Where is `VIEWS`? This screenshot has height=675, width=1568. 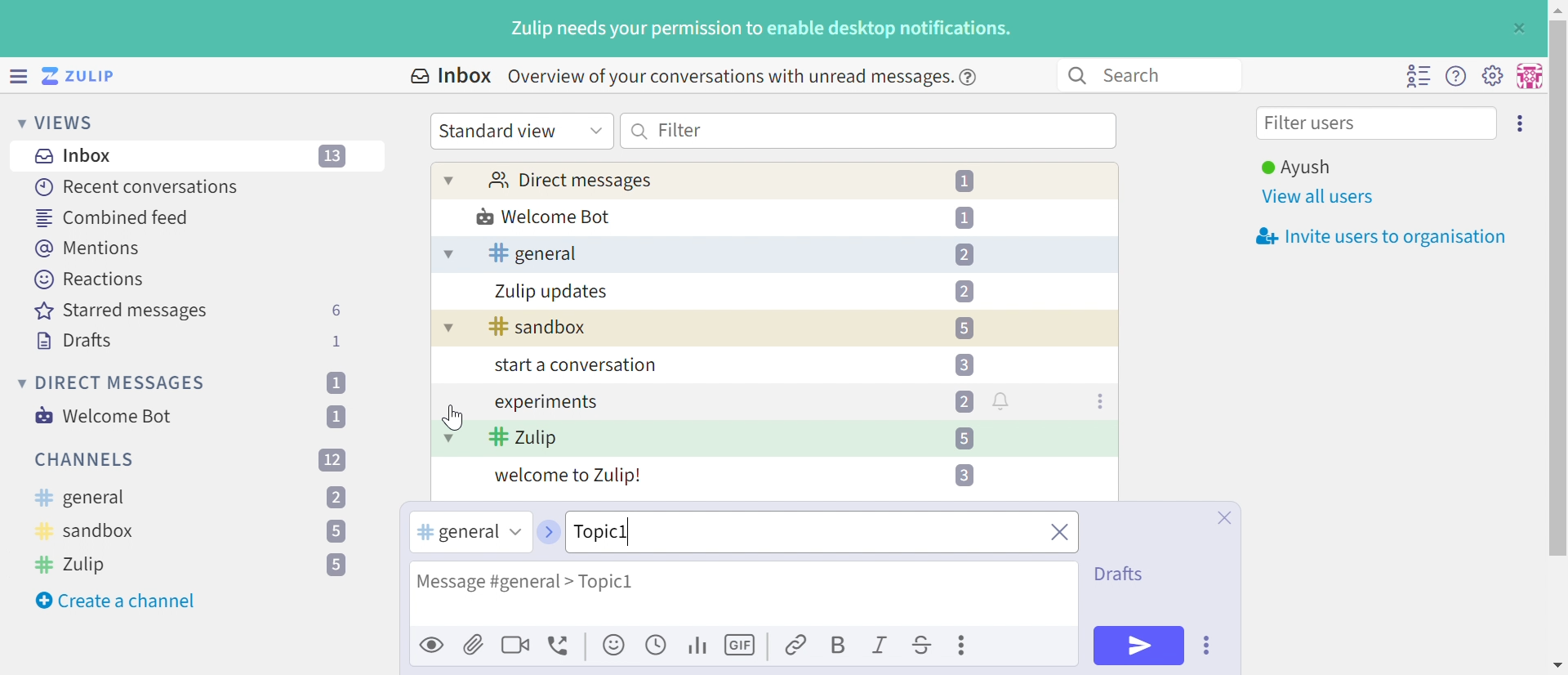
VIEWS is located at coordinates (69, 122).